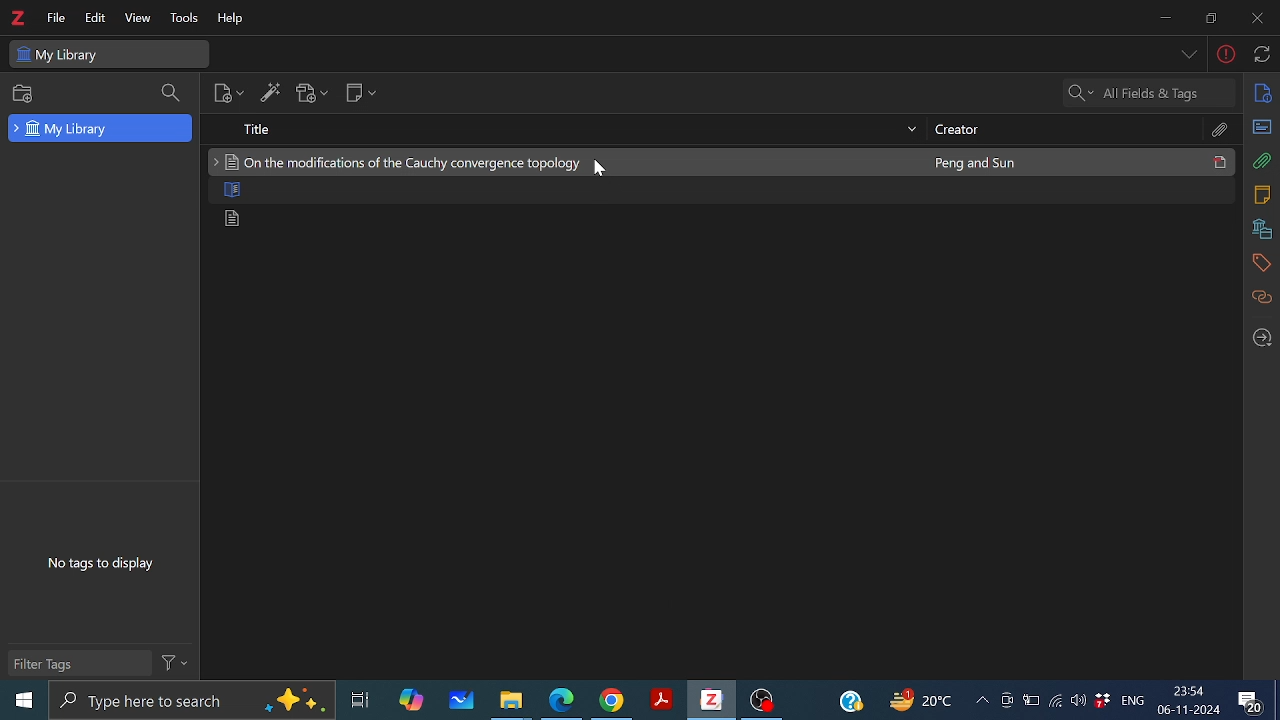 The width and height of the screenshot is (1280, 720). What do you see at coordinates (1263, 94) in the screenshot?
I see `Info` at bounding box center [1263, 94].